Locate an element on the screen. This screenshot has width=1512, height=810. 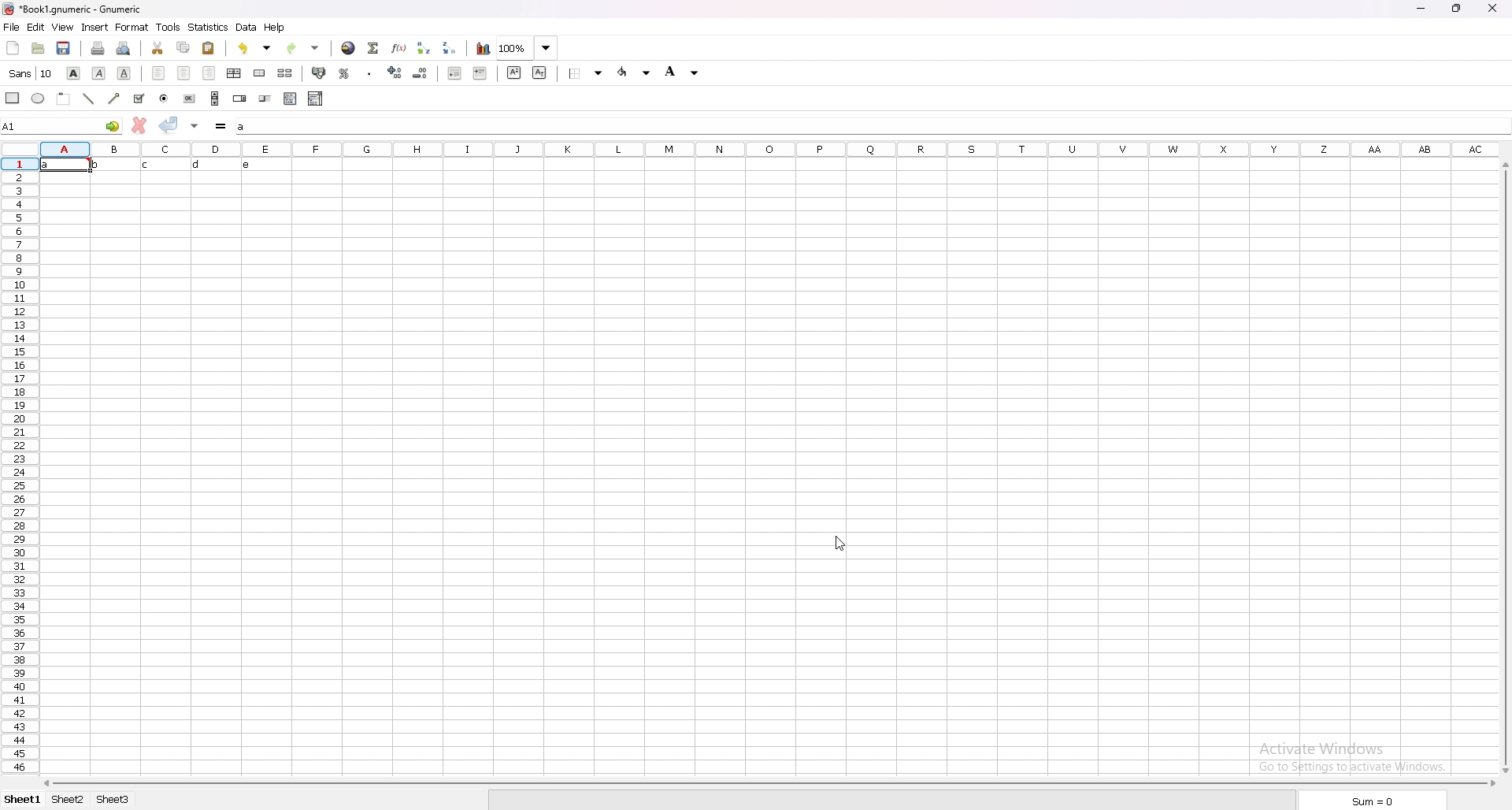
edit is located at coordinates (35, 27).